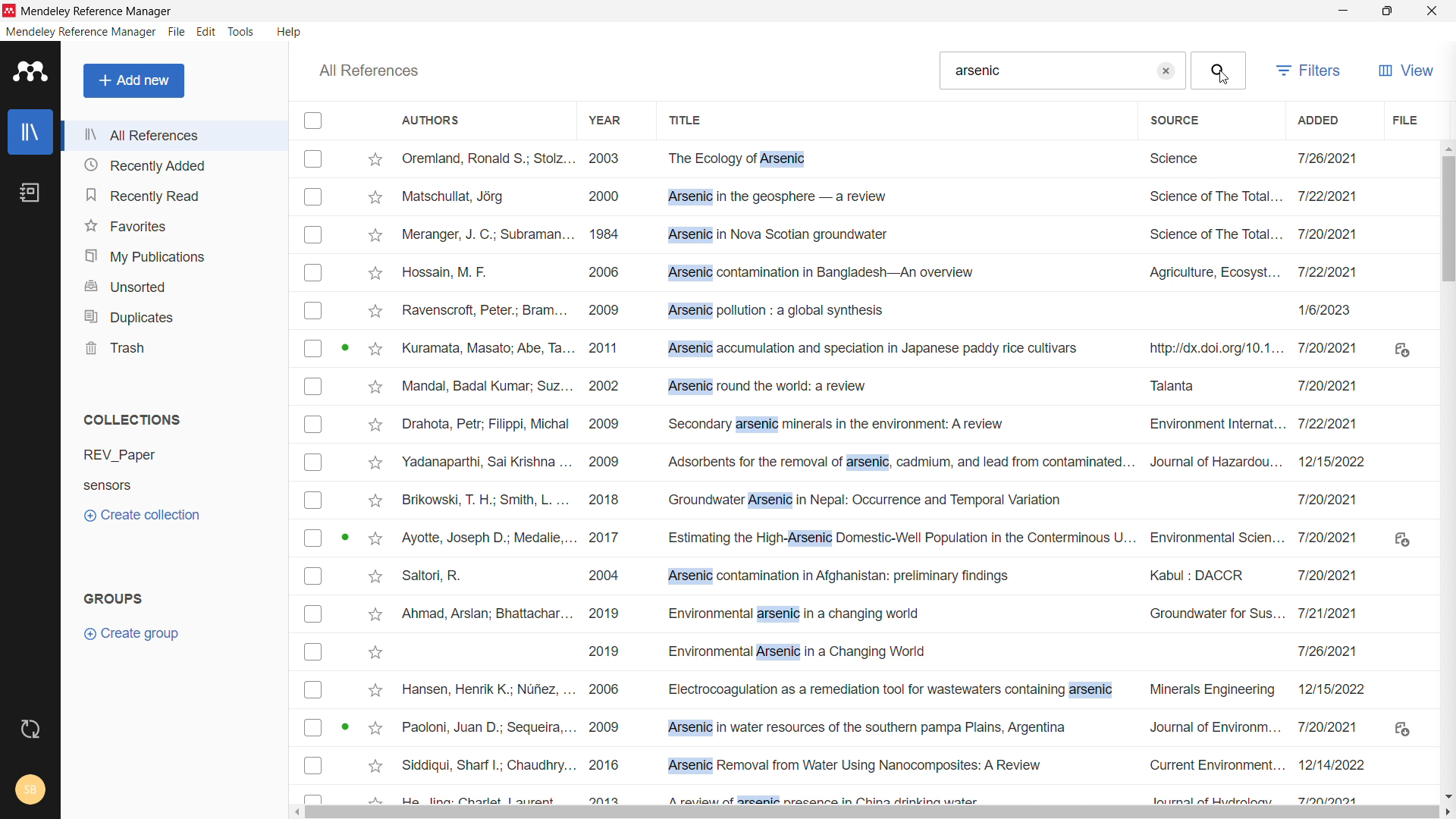 The height and width of the screenshot is (819, 1456). I want to click on view, so click(1407, 68).